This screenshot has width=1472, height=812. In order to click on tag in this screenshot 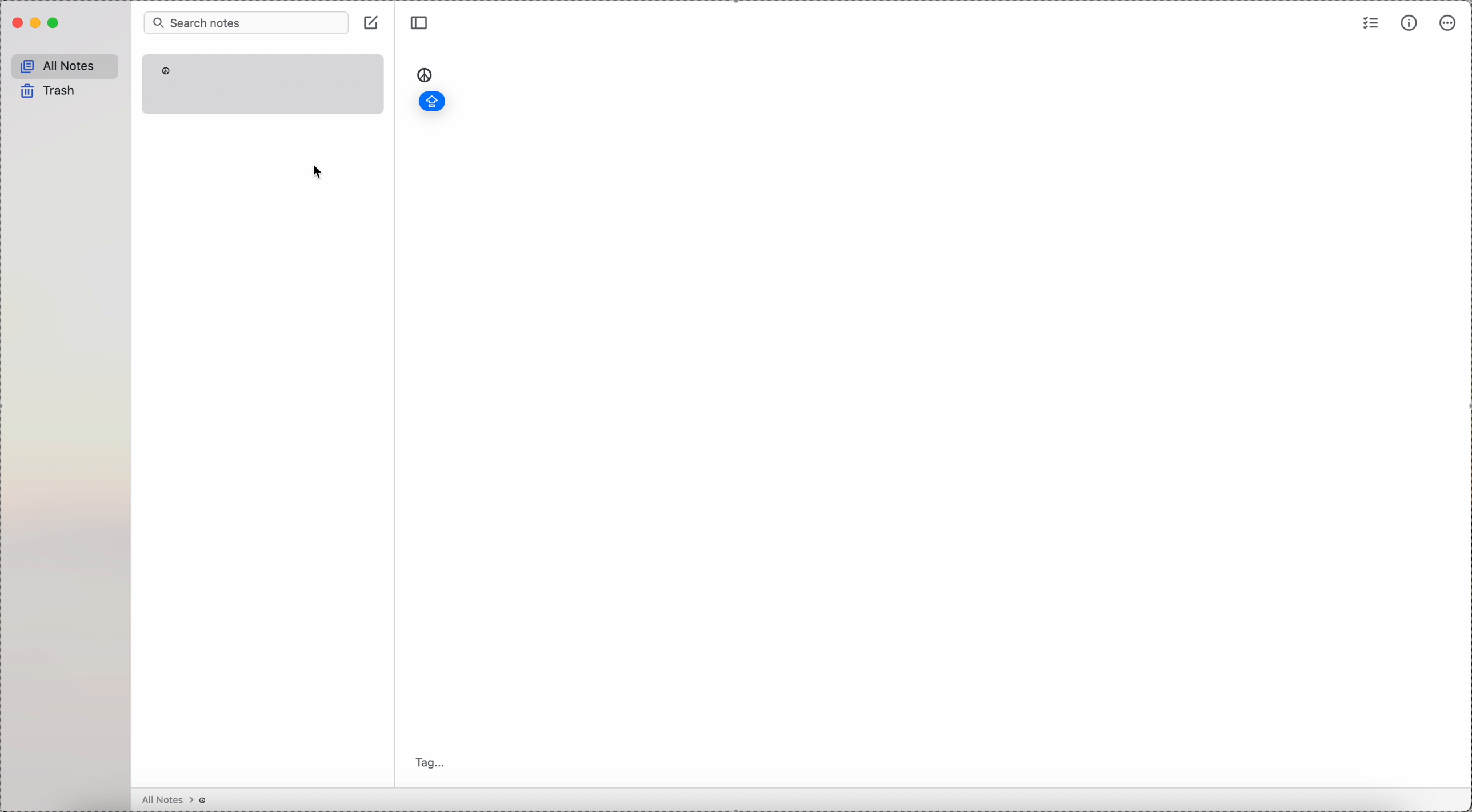, I will do `click(434, 762)`.